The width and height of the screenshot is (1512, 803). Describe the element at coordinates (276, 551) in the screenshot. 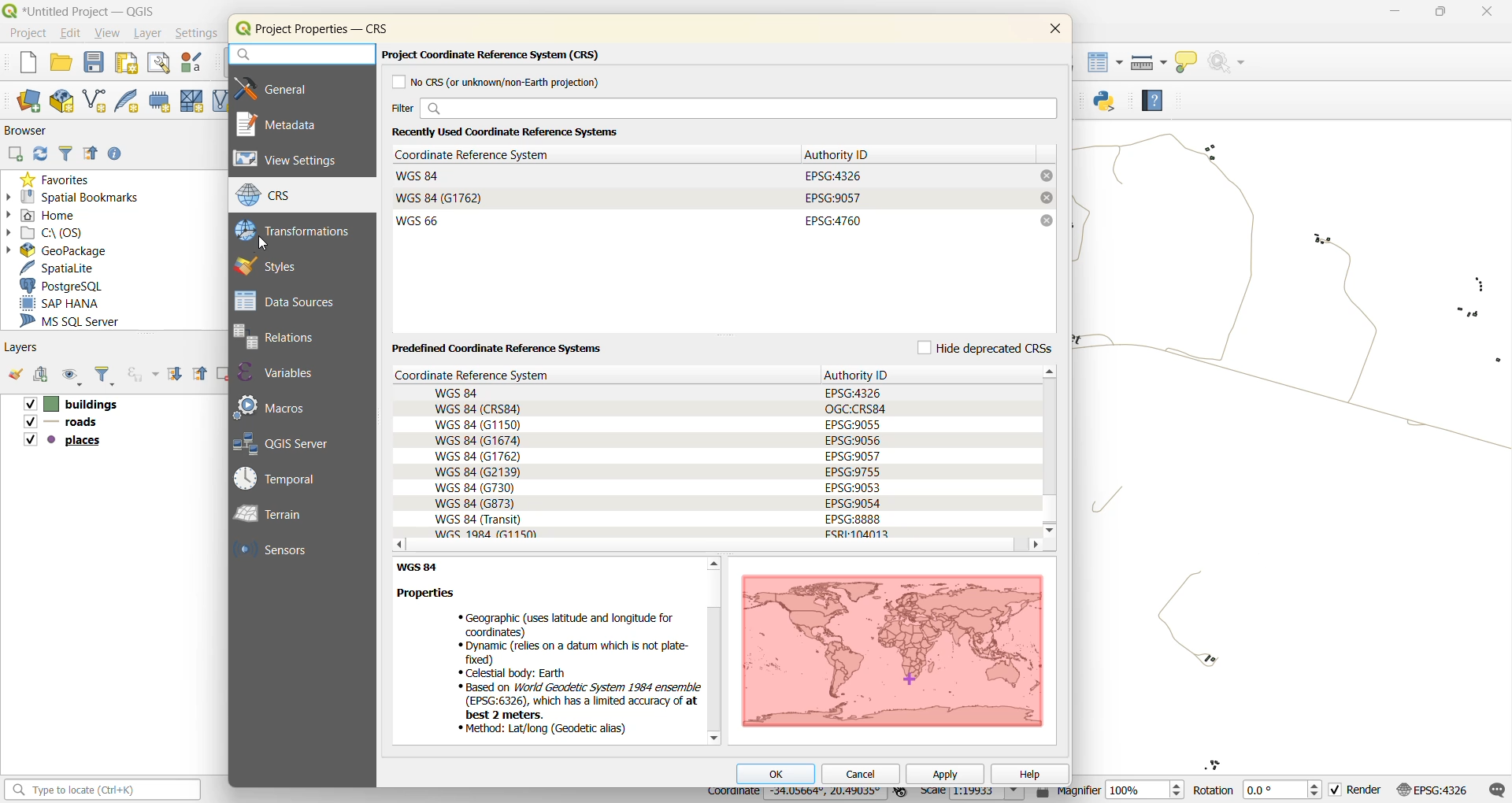

I see `sensors` at that location.